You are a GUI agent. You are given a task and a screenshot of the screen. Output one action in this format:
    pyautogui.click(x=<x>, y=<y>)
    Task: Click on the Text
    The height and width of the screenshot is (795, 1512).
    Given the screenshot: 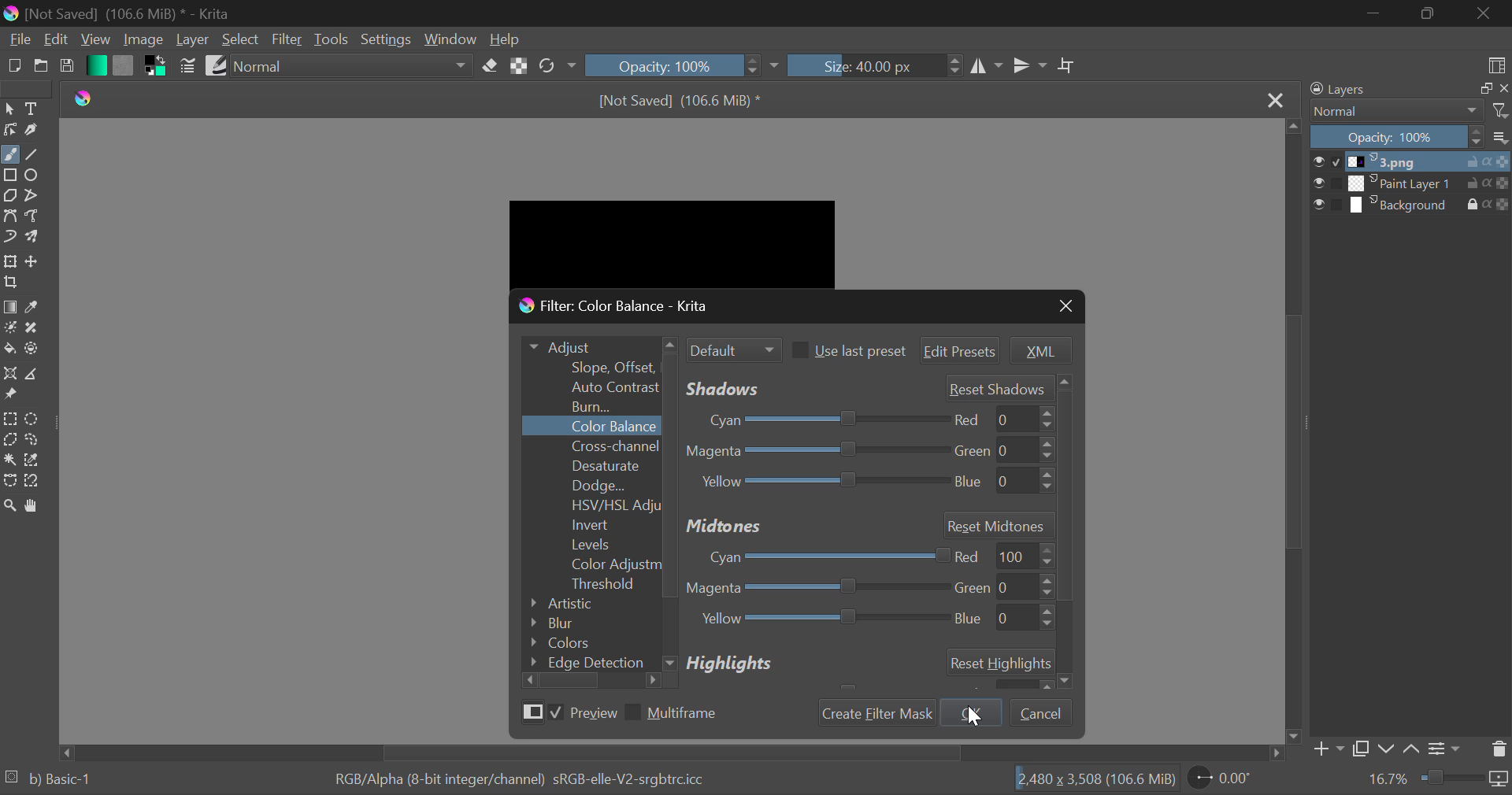 What is the action you would take?
    pyautogui.click(x=33, y=108)
    